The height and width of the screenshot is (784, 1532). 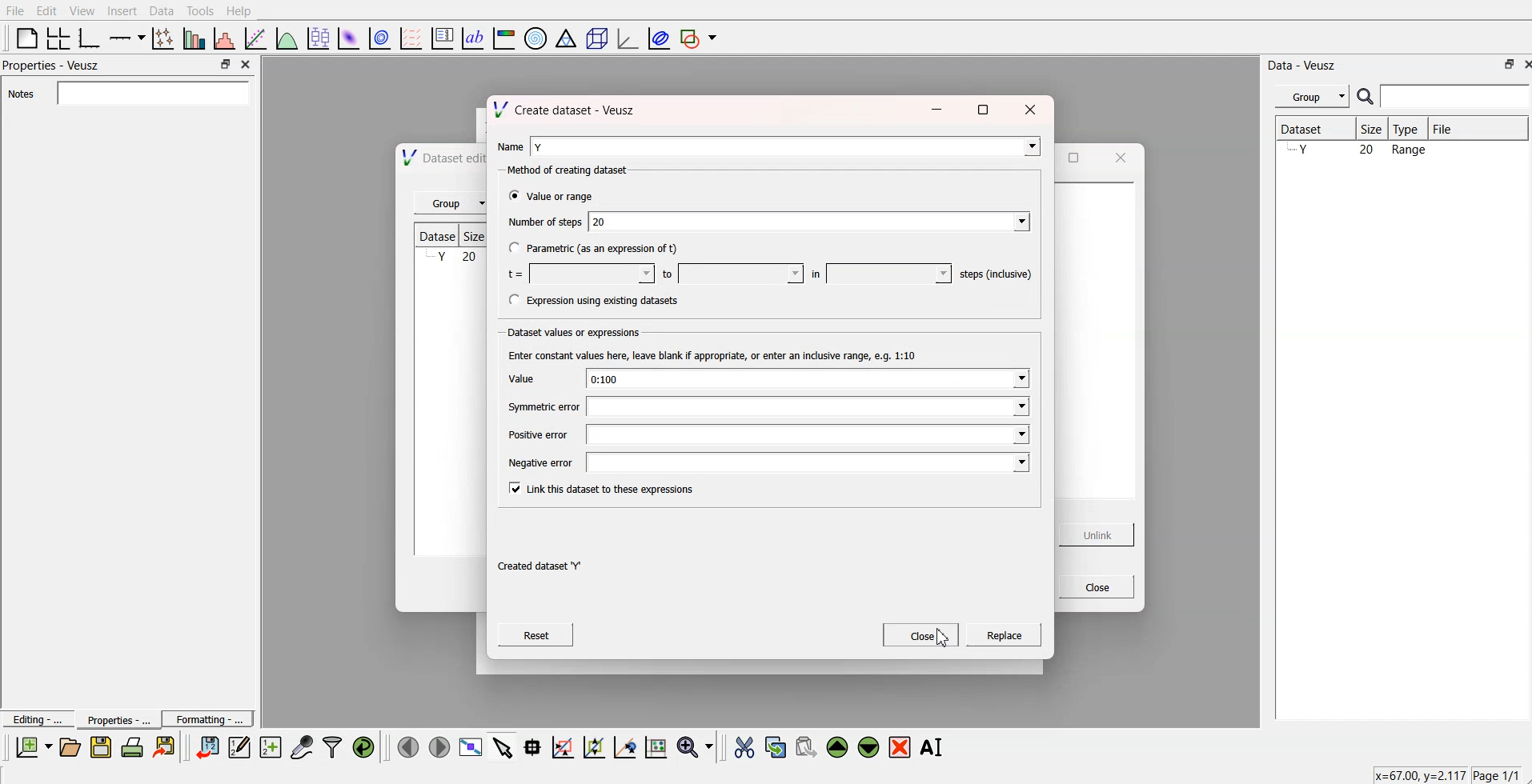 I want to click on maximize, so click(x=1077, y=159).